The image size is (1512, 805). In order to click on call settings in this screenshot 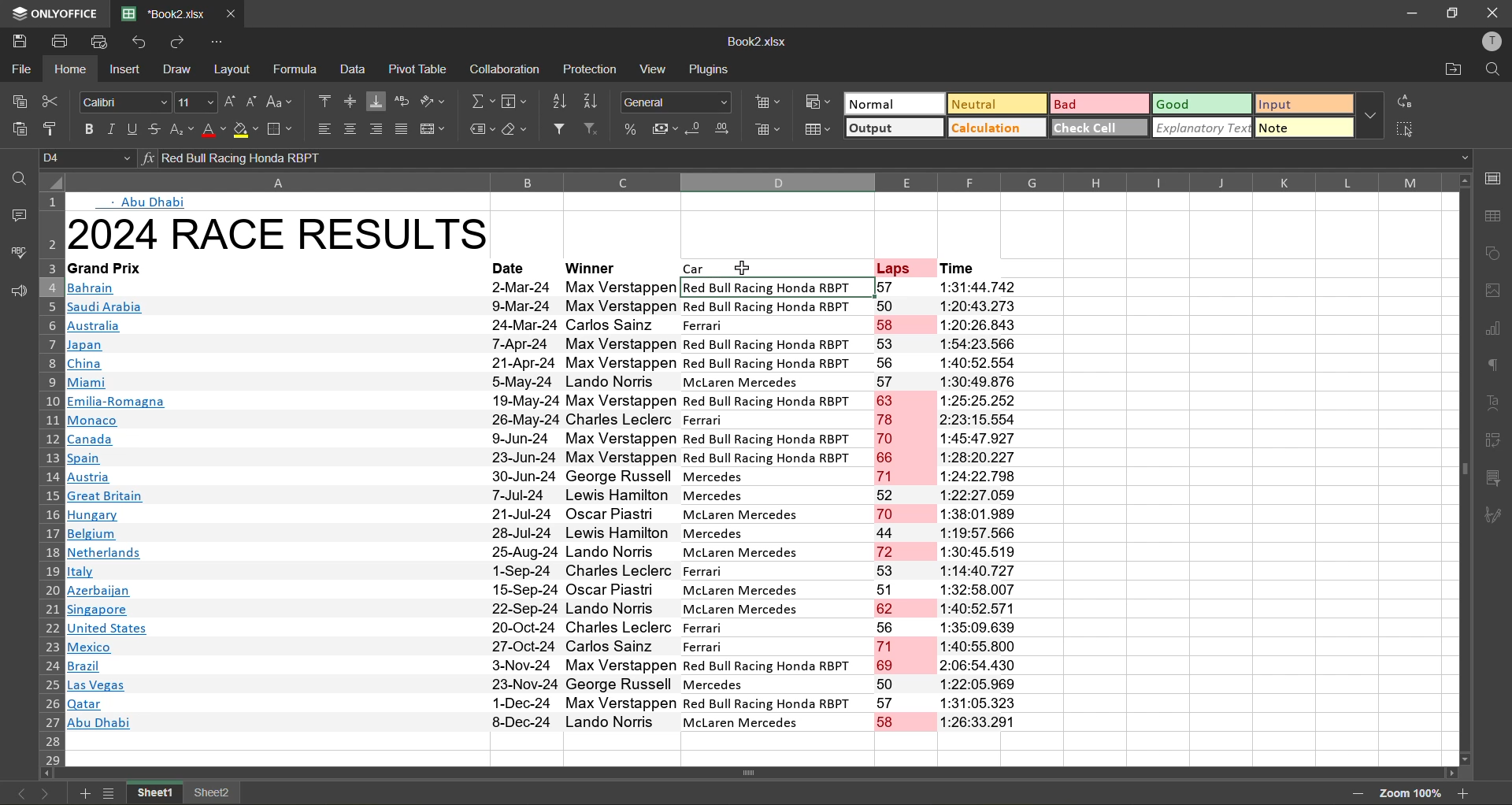, I will do `click(1495, 180)`.